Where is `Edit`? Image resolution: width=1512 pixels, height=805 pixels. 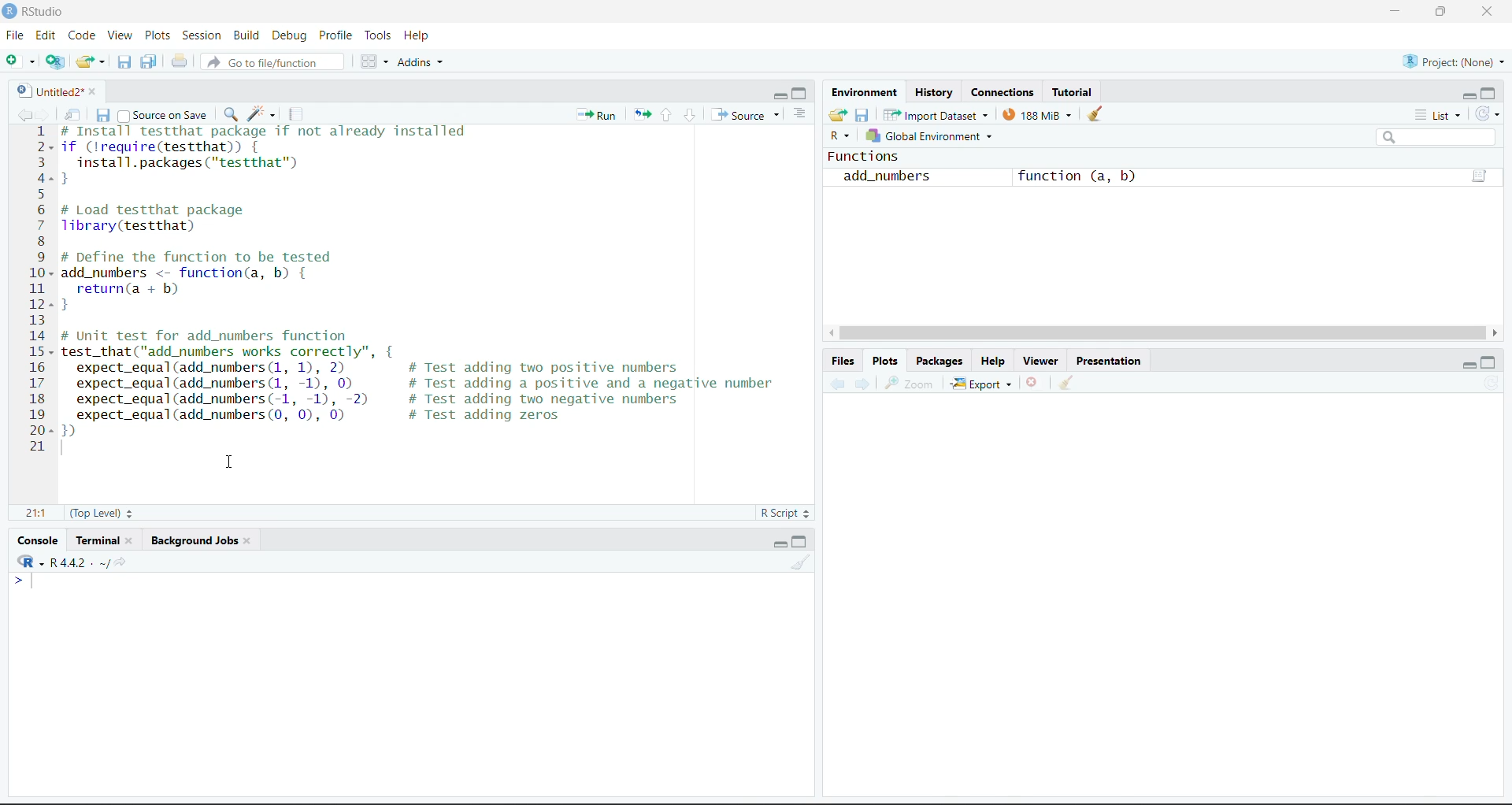 Edit is located at coordinates (47, 33).